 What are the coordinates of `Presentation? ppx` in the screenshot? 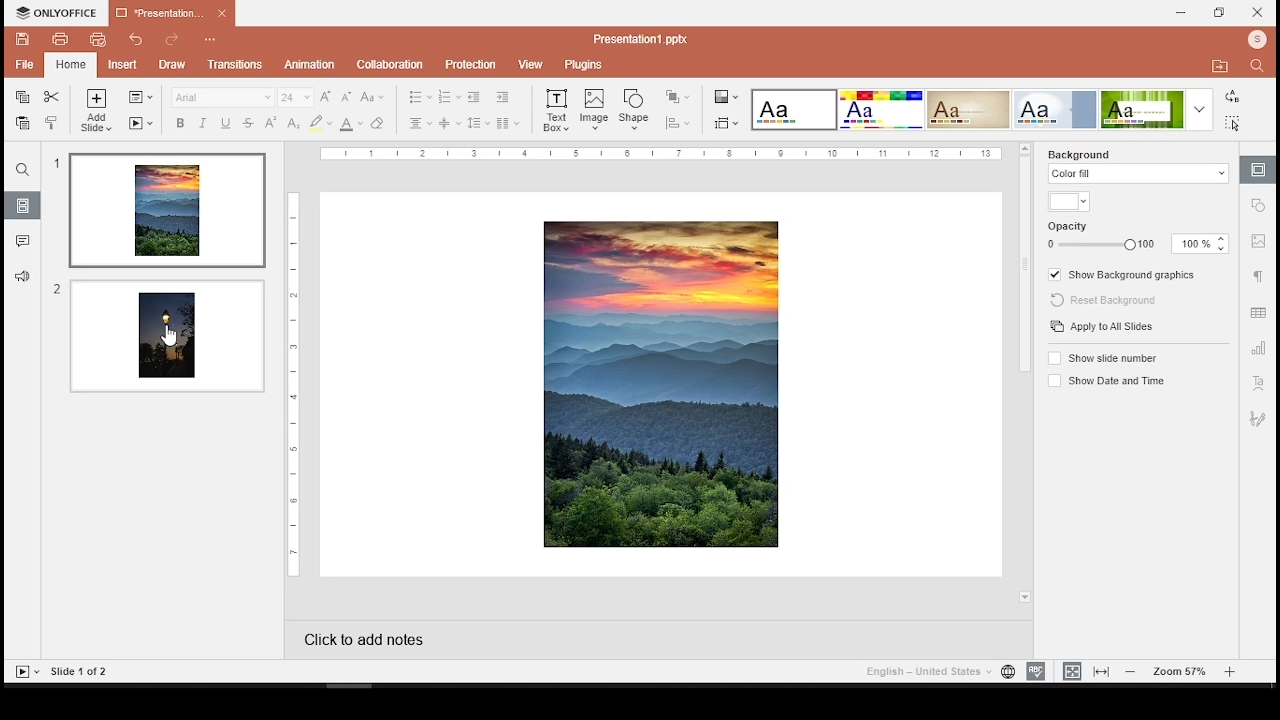 It's located at (651, 37).